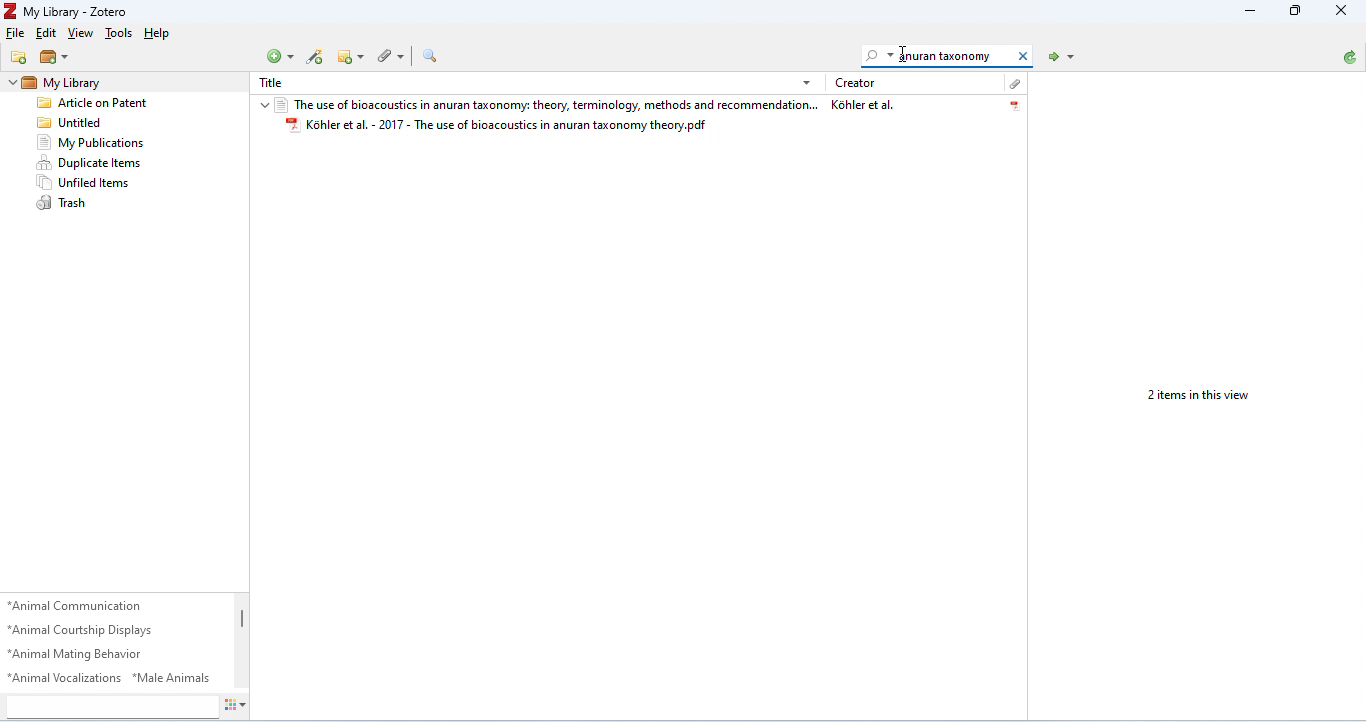 Image resolution: width=1366 pixels, height=722 pixels. What do you see at coordinates (1062, 57) in the screenshot?
I see `Locate` at bounding box center [1062, 57].